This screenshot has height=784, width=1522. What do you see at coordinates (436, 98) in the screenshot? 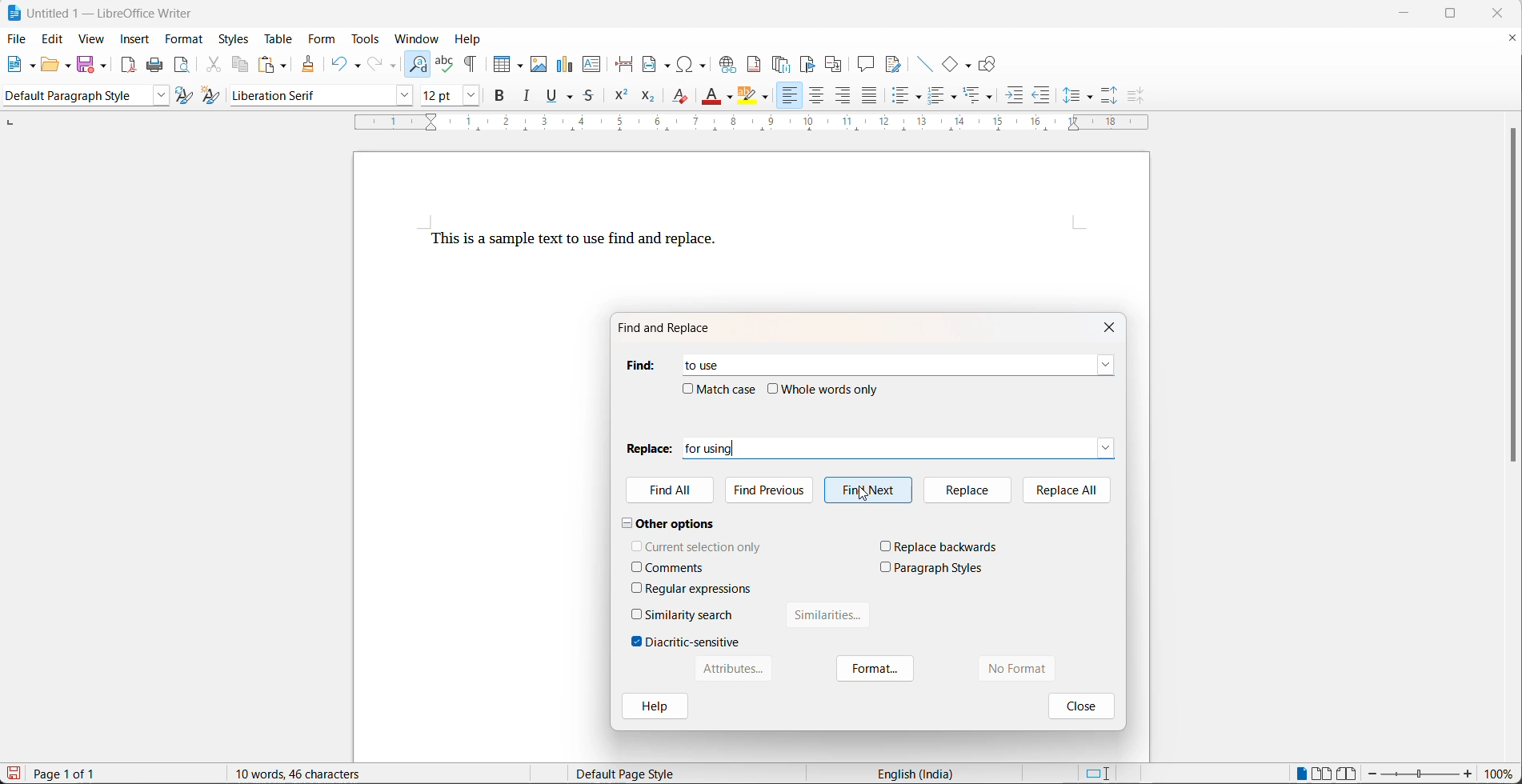
I see `font size` at bounding box center [436, 98].